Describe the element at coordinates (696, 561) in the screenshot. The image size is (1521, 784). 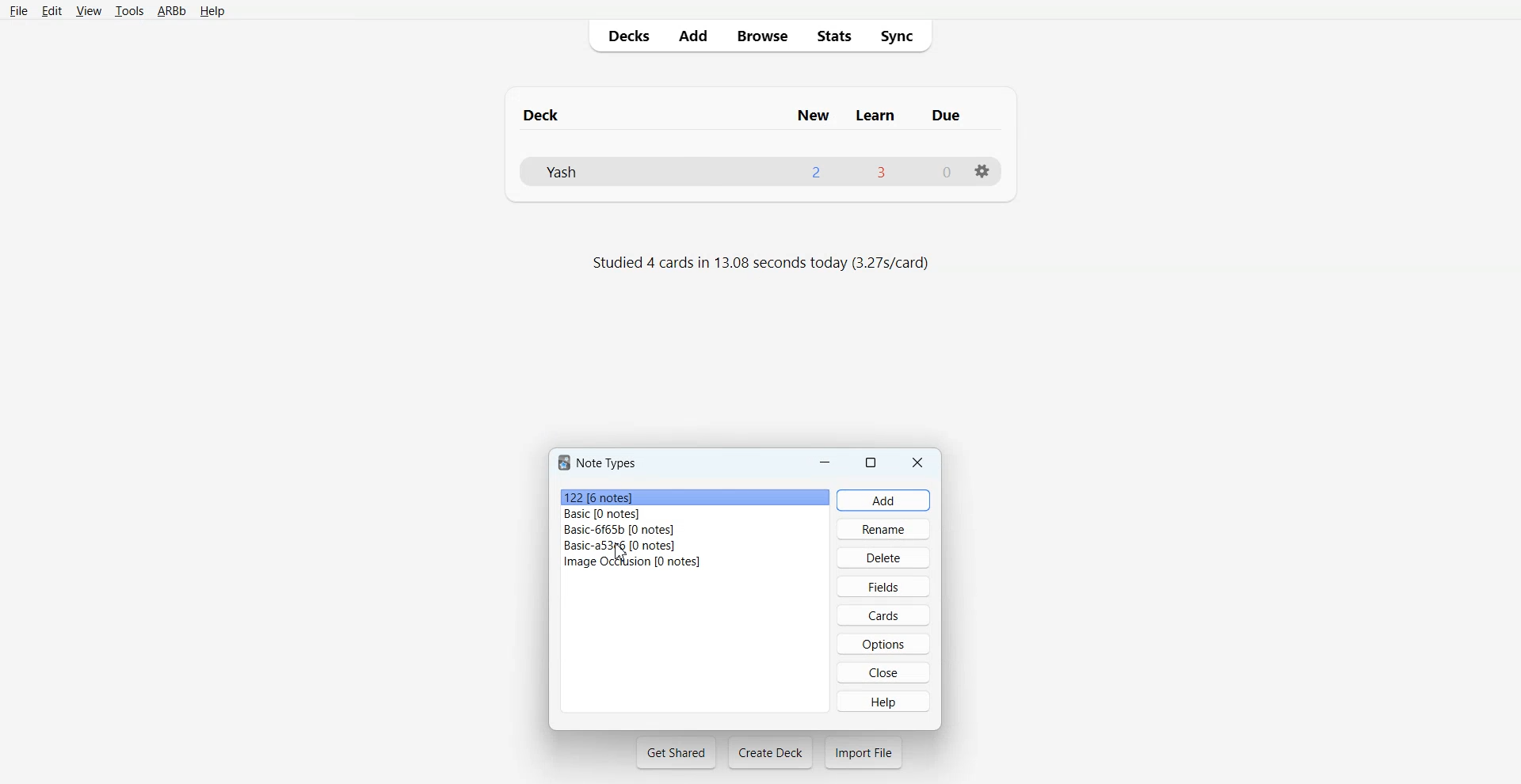
I see `Image Occusion [0 notes]` at that location.